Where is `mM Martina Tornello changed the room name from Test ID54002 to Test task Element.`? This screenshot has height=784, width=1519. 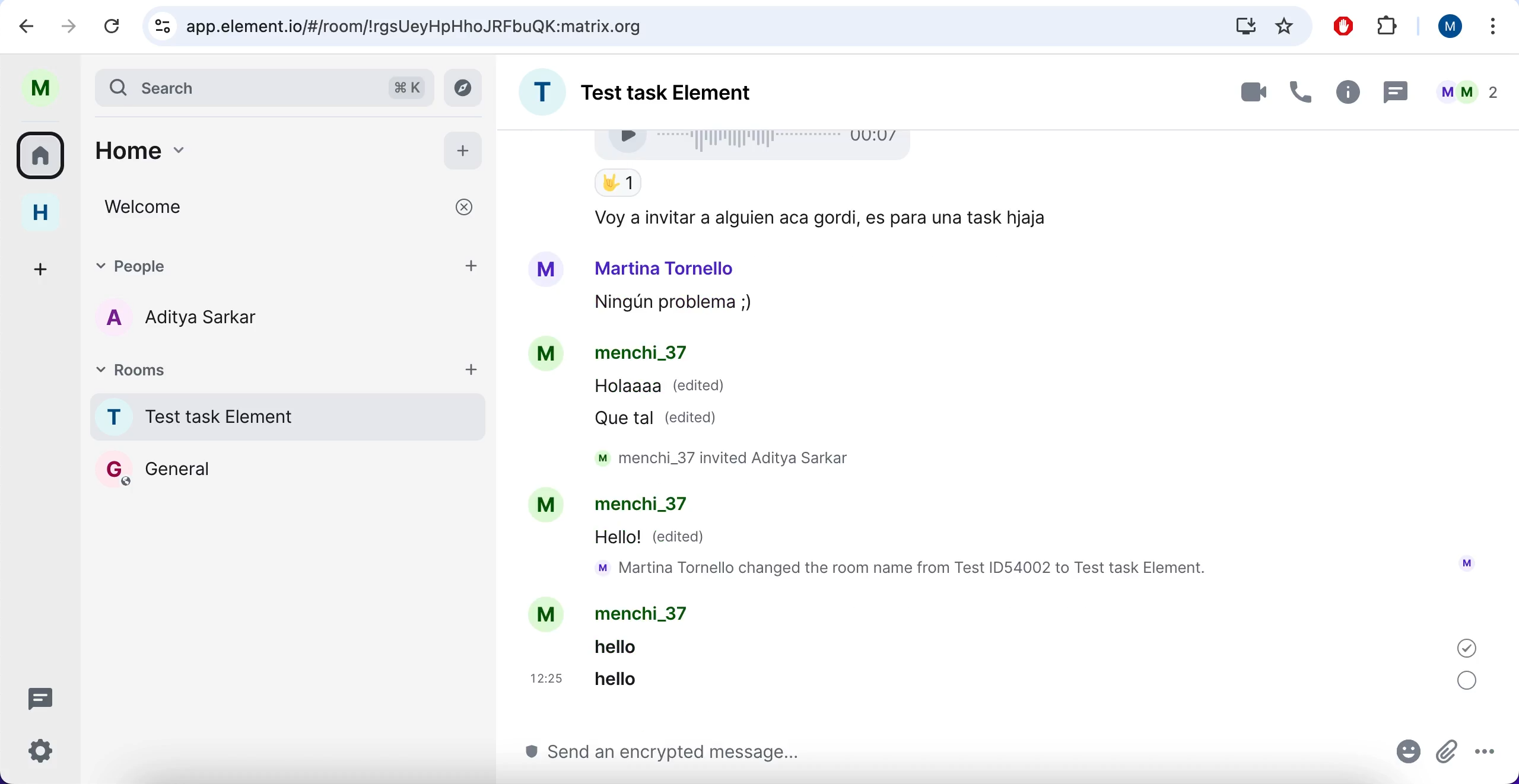
mM Martina Tornello changed the room name from Test ID54002 to Test task Element. is located at coordinates (898, 566).